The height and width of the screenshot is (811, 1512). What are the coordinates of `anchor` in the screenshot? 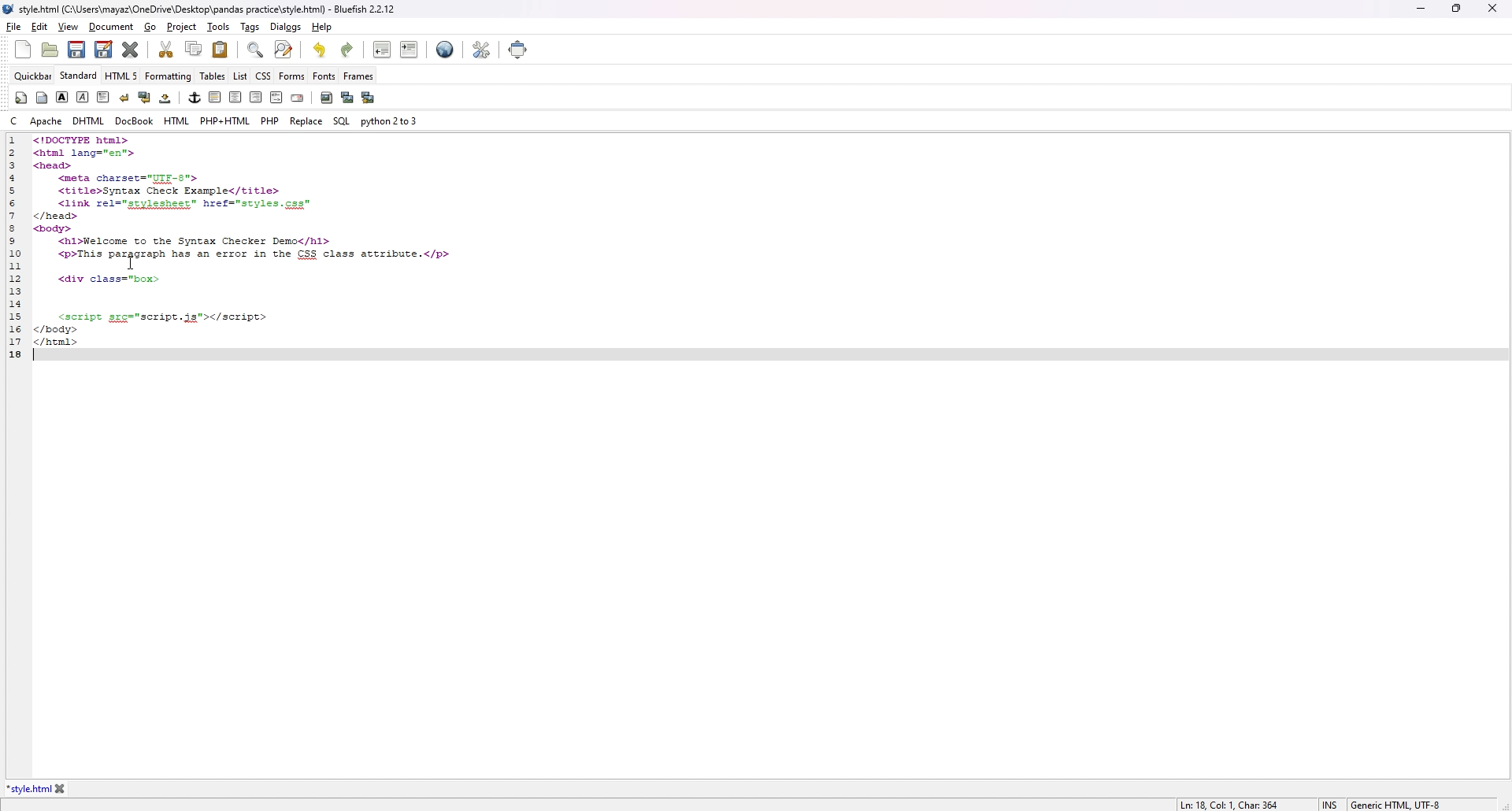 It's located at (195, 98).